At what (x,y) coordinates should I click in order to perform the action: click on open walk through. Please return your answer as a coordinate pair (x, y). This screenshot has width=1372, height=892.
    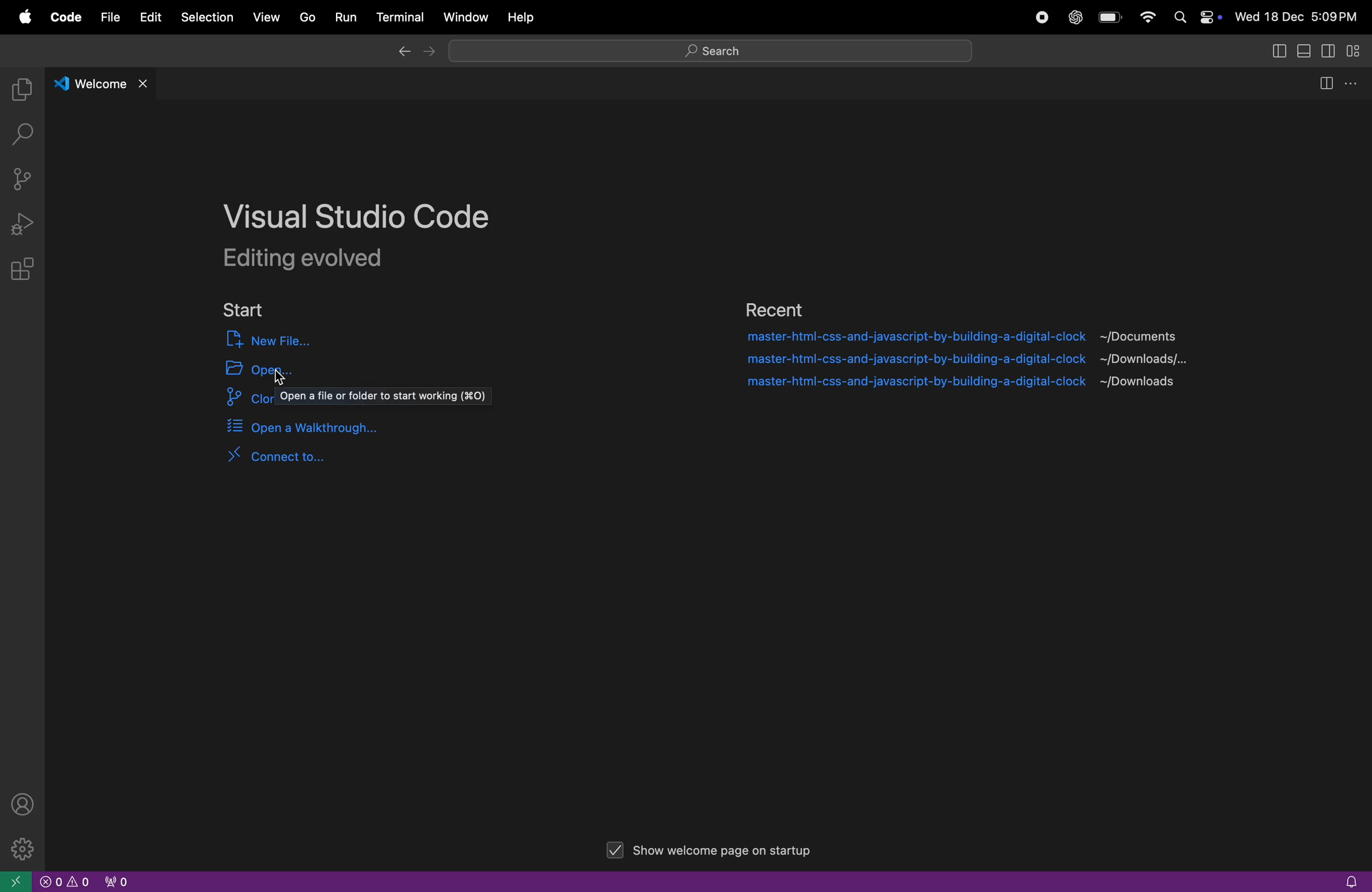
    Looking at the image, I should click on (300, 429).